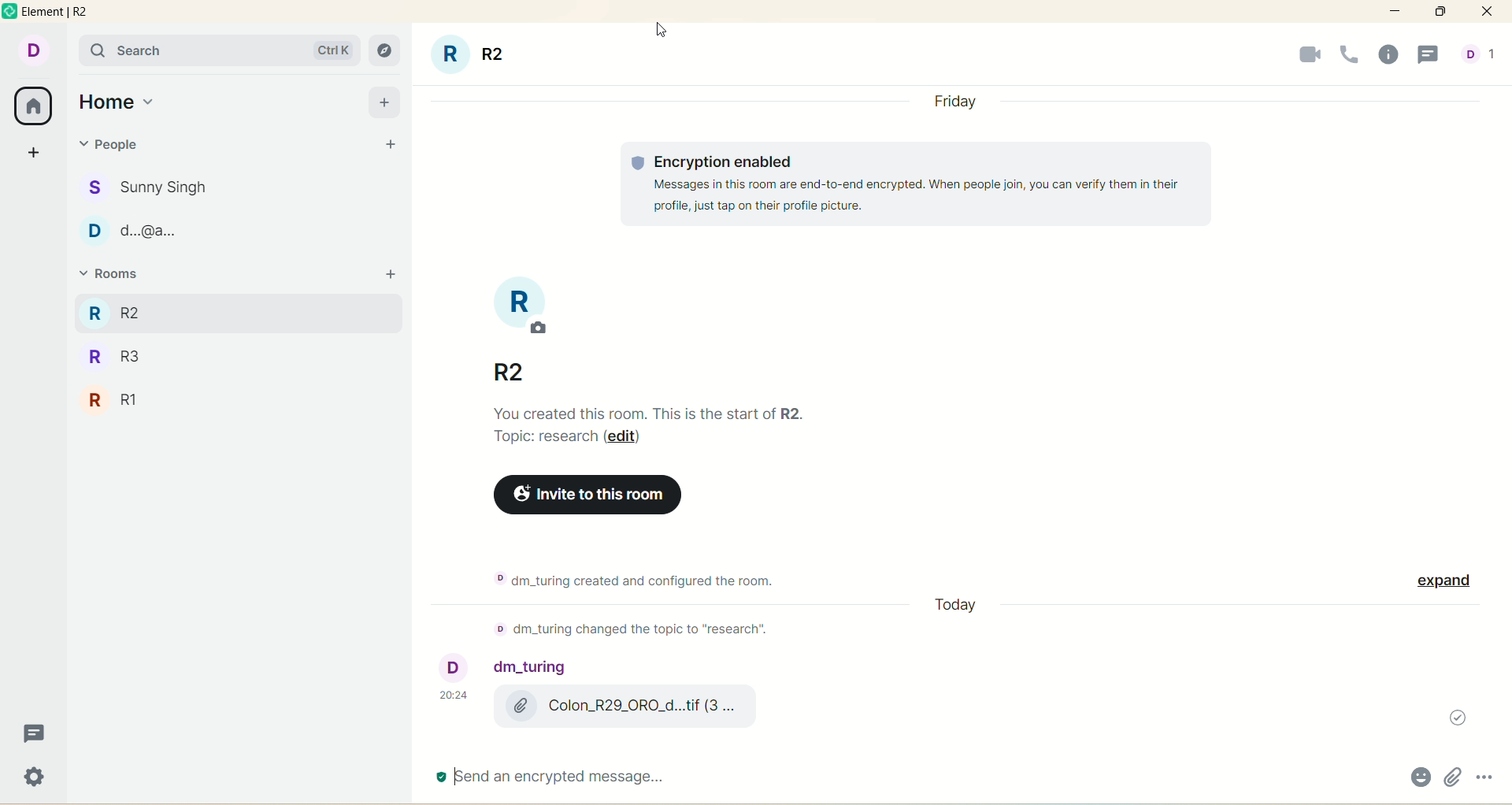 The height and width of the screenshot is (805, 1512). What do you see at coordinates (144, 312) in the screenshot?
I see `R3` at bounding box center [144, 312].